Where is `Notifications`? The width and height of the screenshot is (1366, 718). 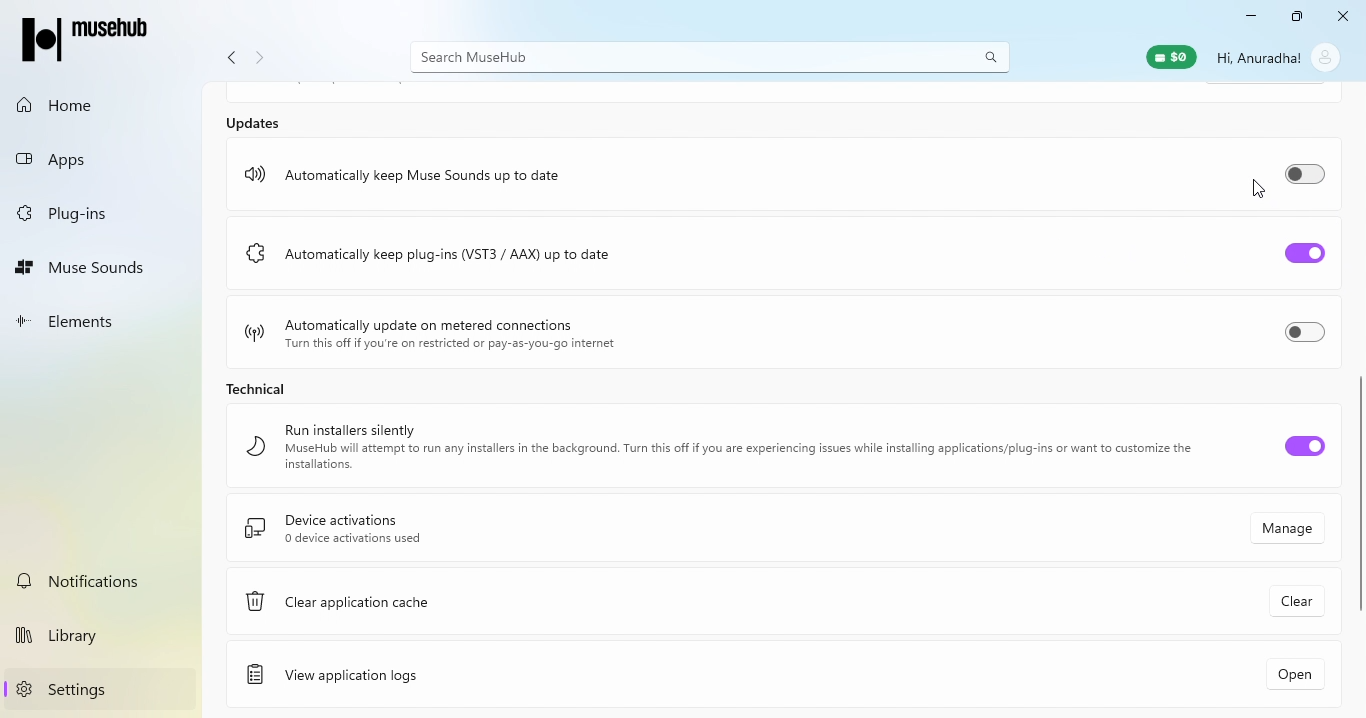
Notifications is located at coordinates (104, 580).